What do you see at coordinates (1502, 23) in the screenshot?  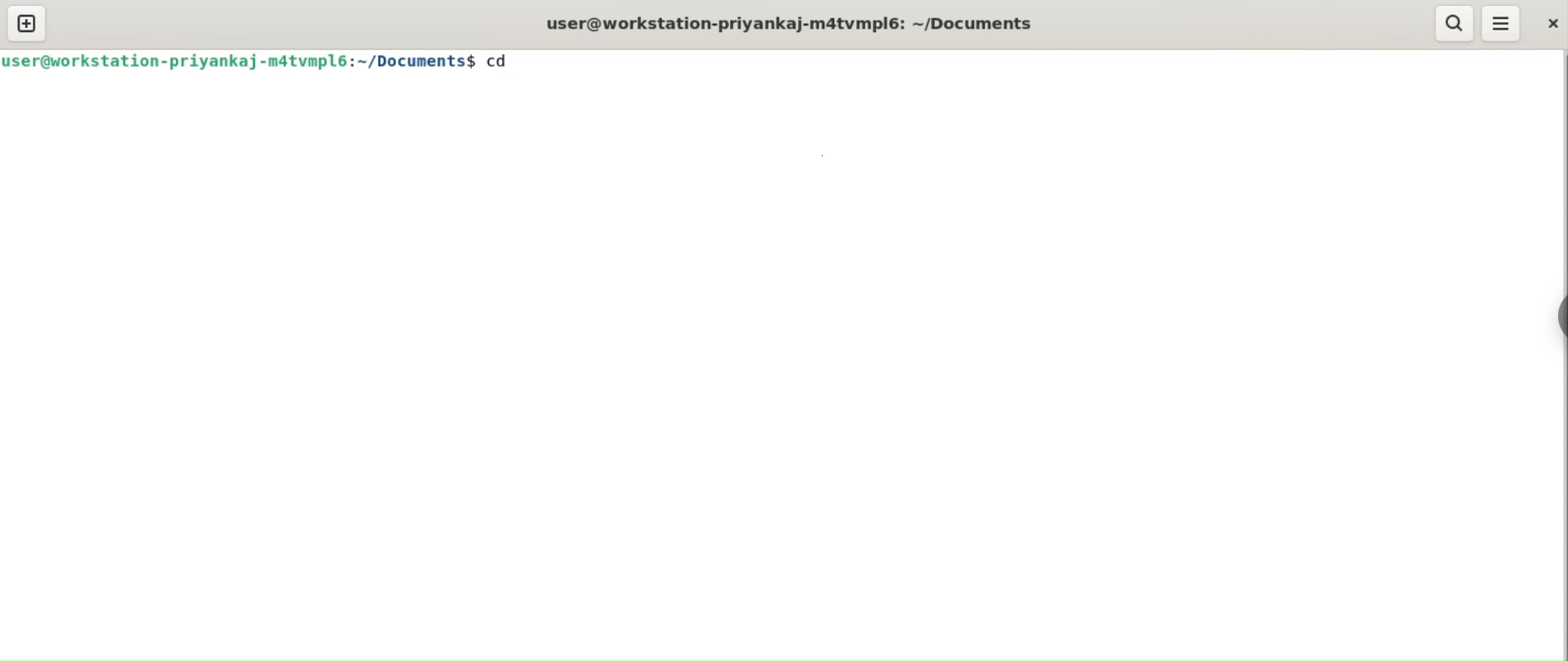 I see `menu` at bounding box center [1502, 23].